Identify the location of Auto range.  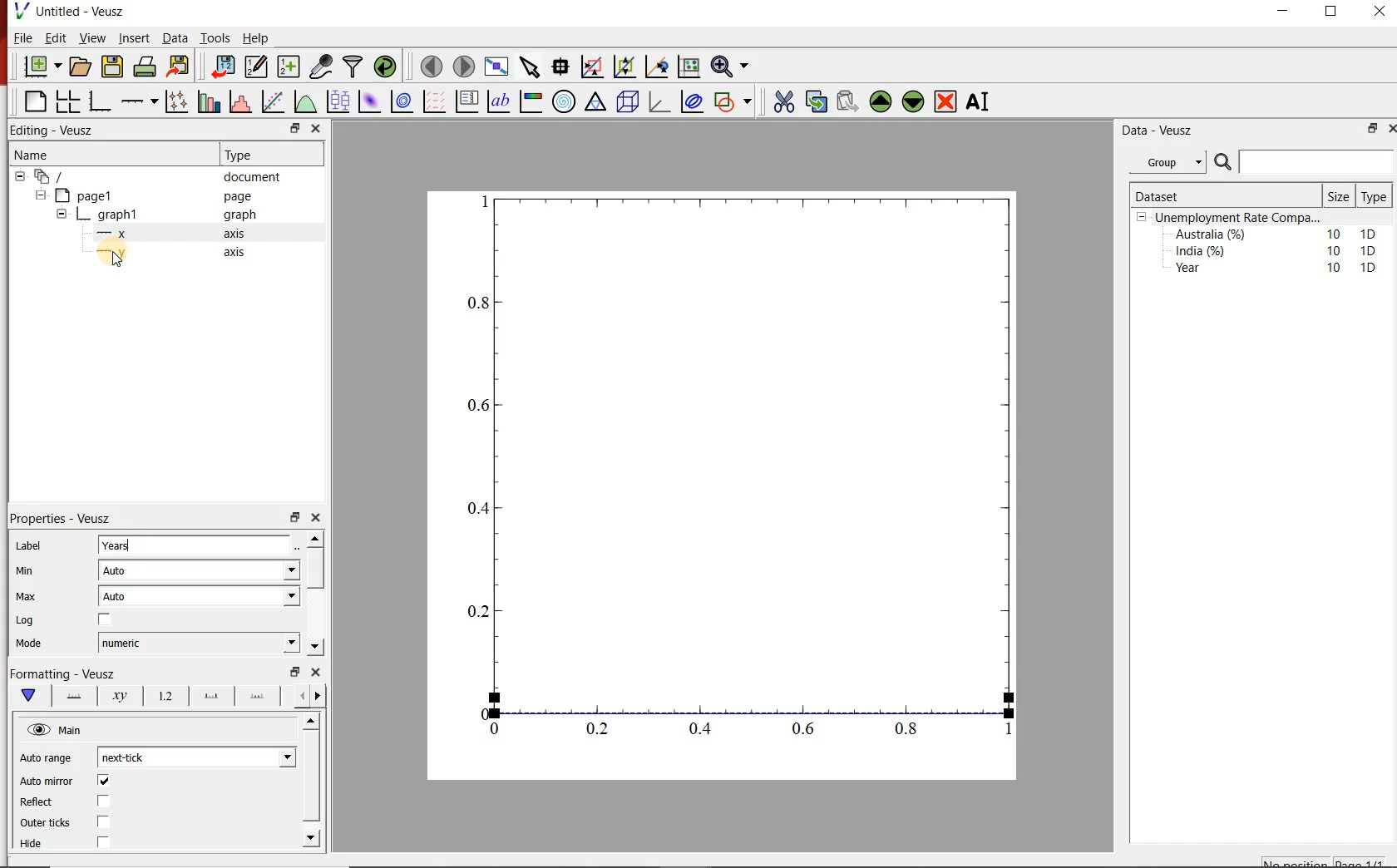
(48, 760).